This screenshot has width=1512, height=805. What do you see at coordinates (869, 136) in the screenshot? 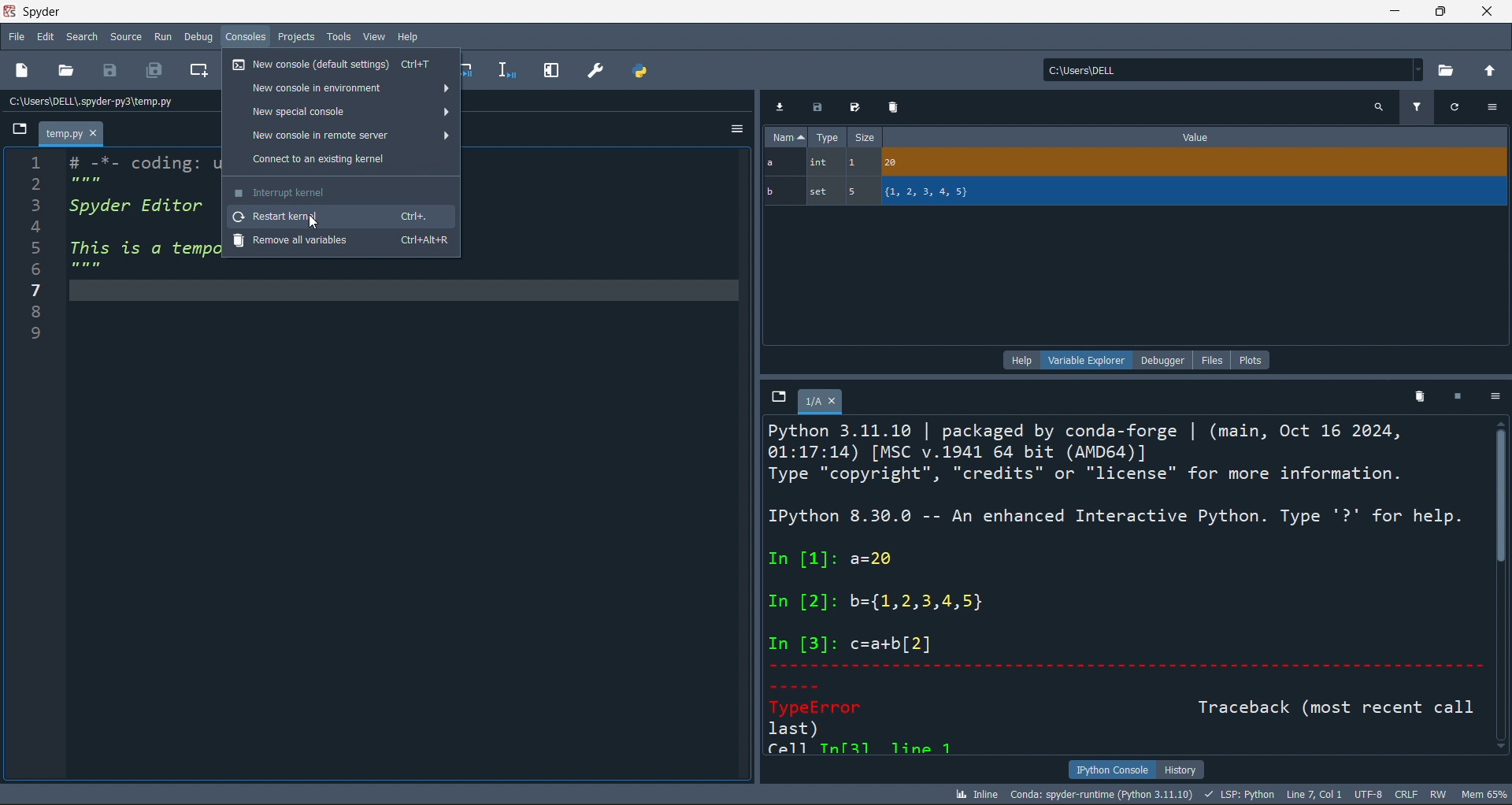
I see `size` at bounding box center [869, 136].